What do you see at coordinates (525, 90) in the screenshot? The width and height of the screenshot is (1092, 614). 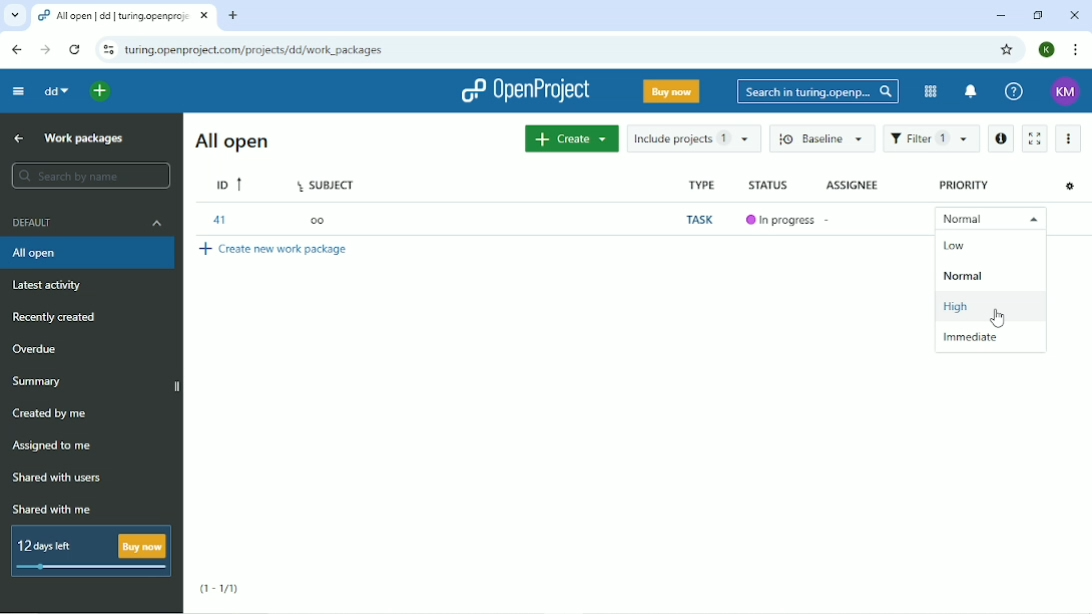 I see `OpenProject` at bounding box center [525, 90].